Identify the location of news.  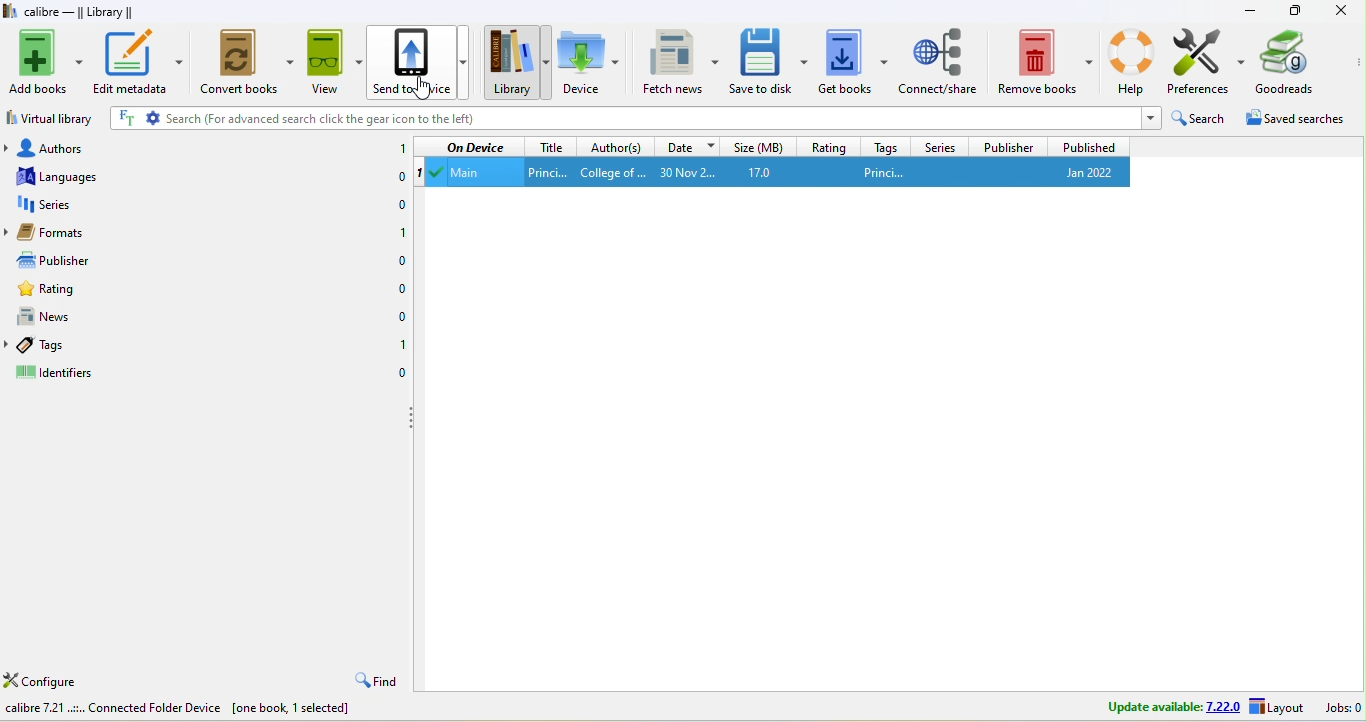
(48, 317).